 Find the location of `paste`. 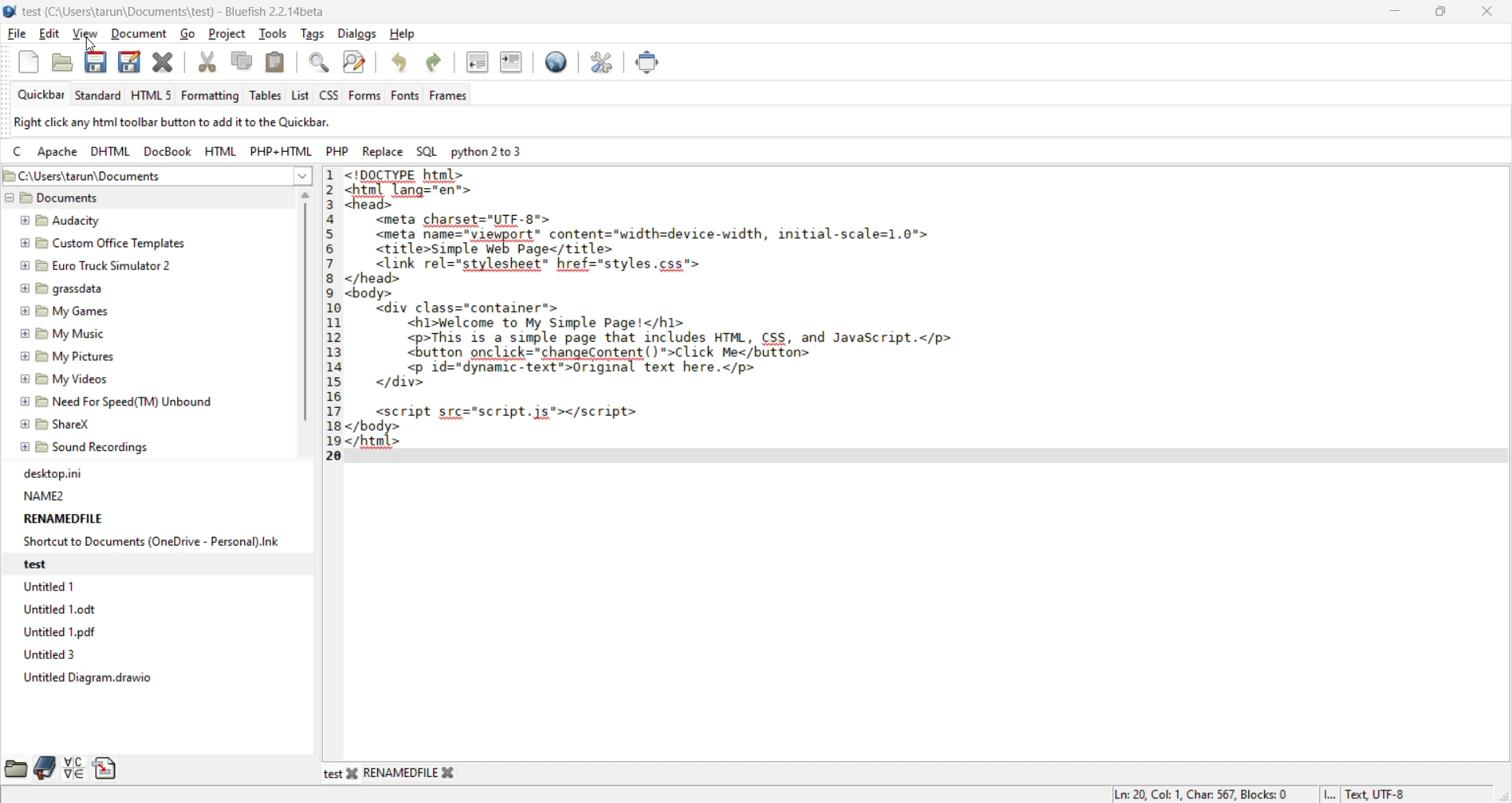

paste is located at coordinates (275, 63).